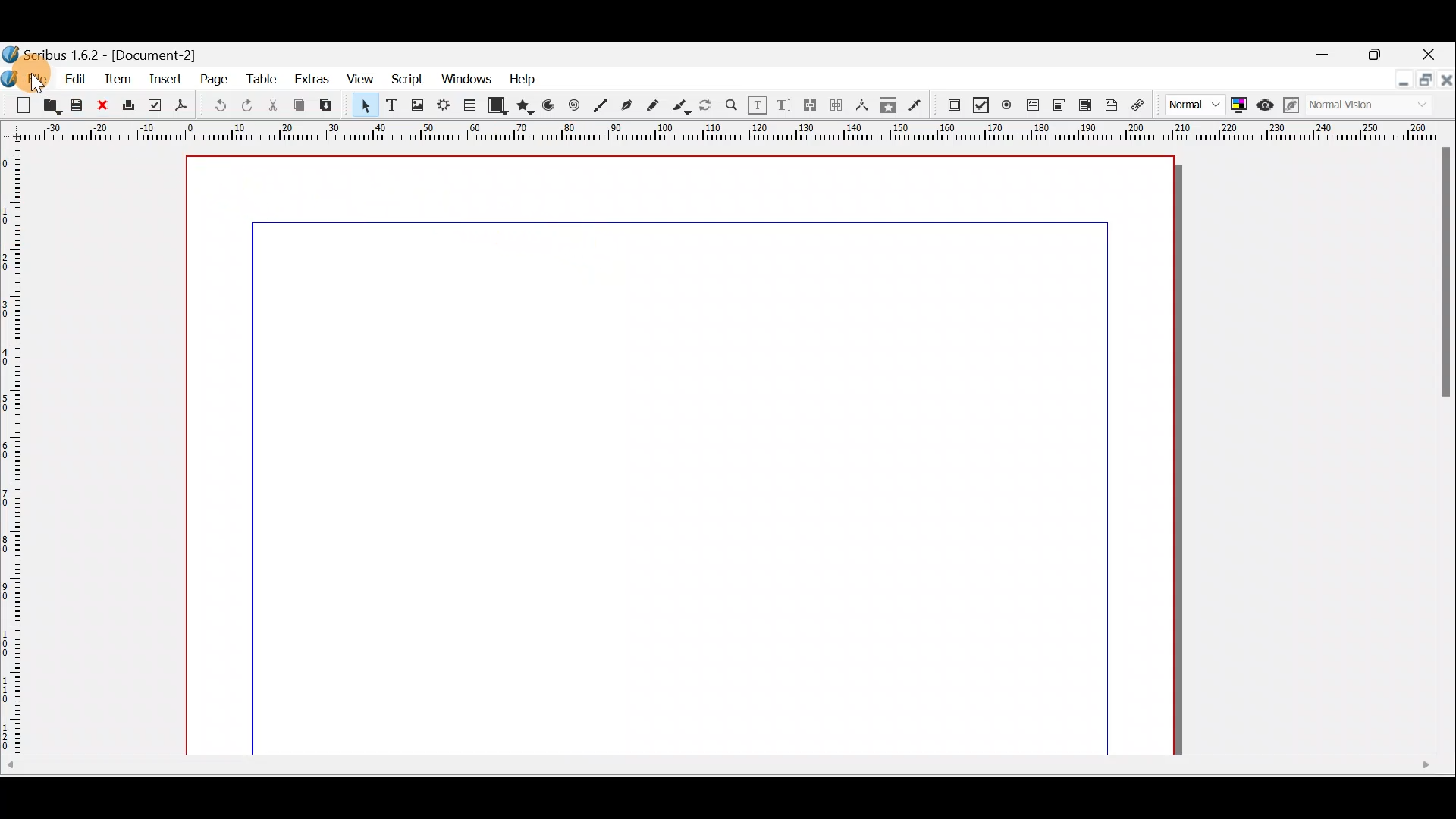  I want to click on New, so click(18, 106).